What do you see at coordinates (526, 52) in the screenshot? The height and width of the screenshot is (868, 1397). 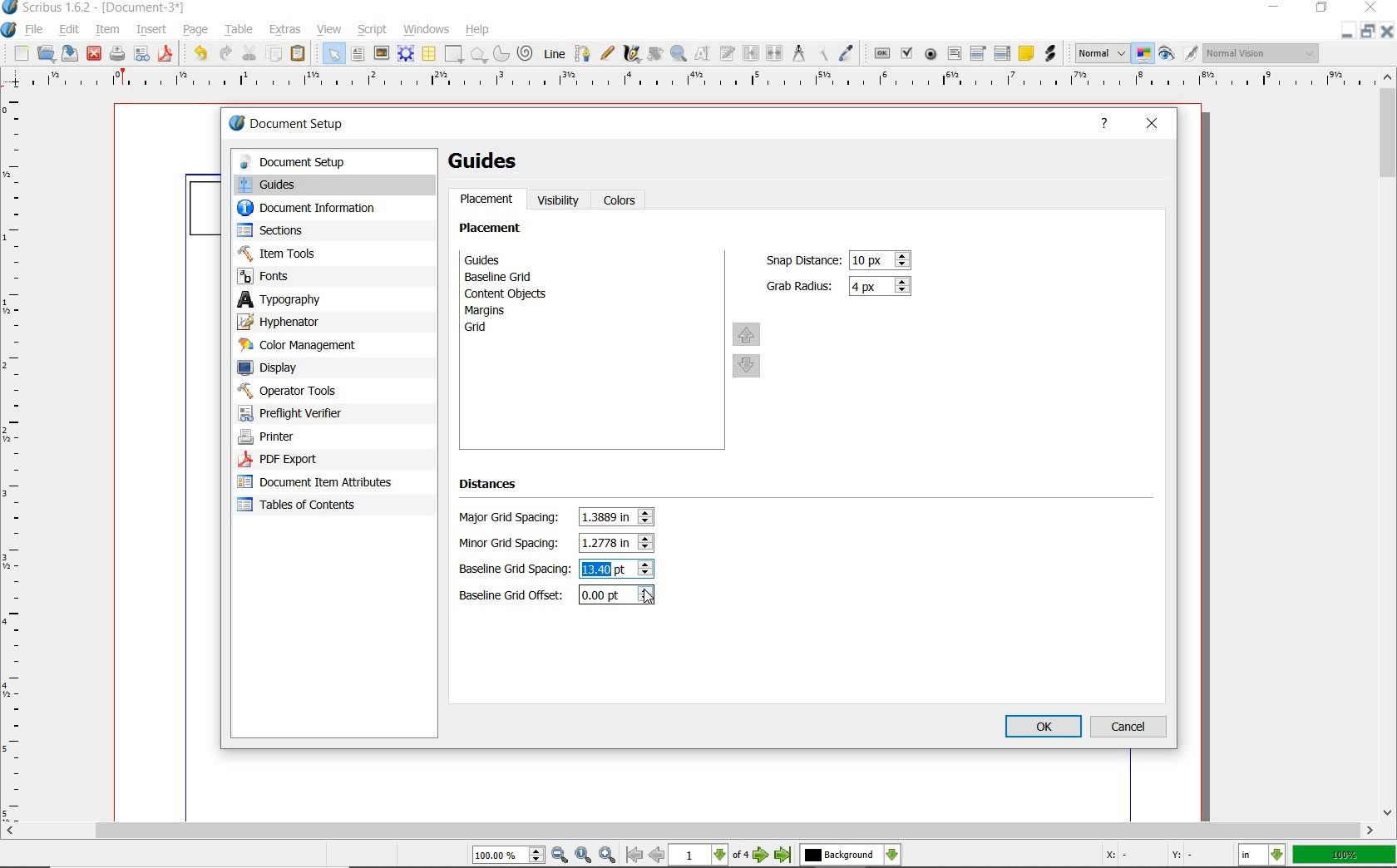 I see `spiral` at bounding box center [526, 52].